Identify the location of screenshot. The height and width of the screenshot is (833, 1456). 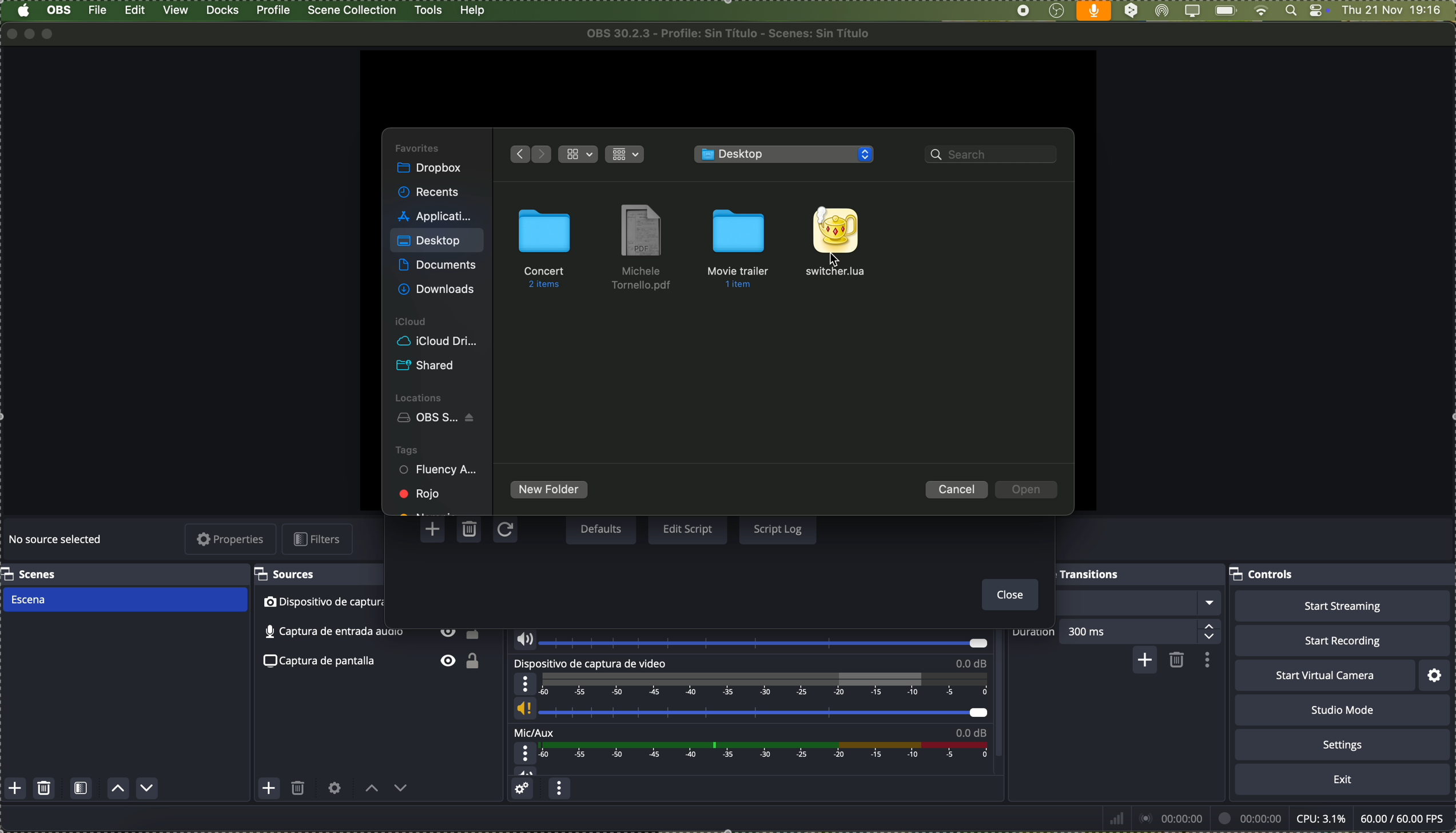
(376, 663).